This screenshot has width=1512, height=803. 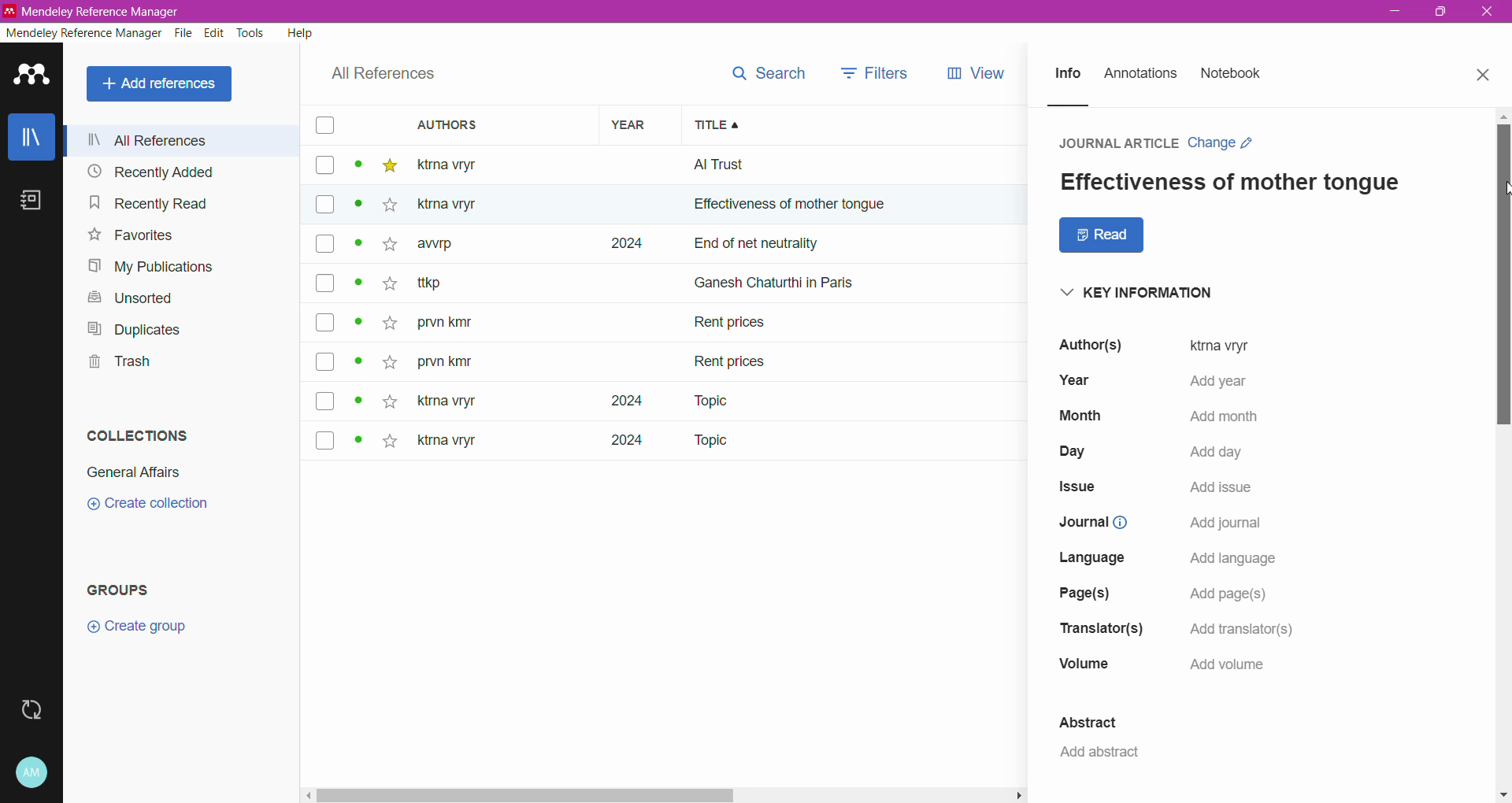 What do you see at coordinates (1228, 666) in the screenshot?
I see `Click to add volume` at bounding box center [1228, 666].